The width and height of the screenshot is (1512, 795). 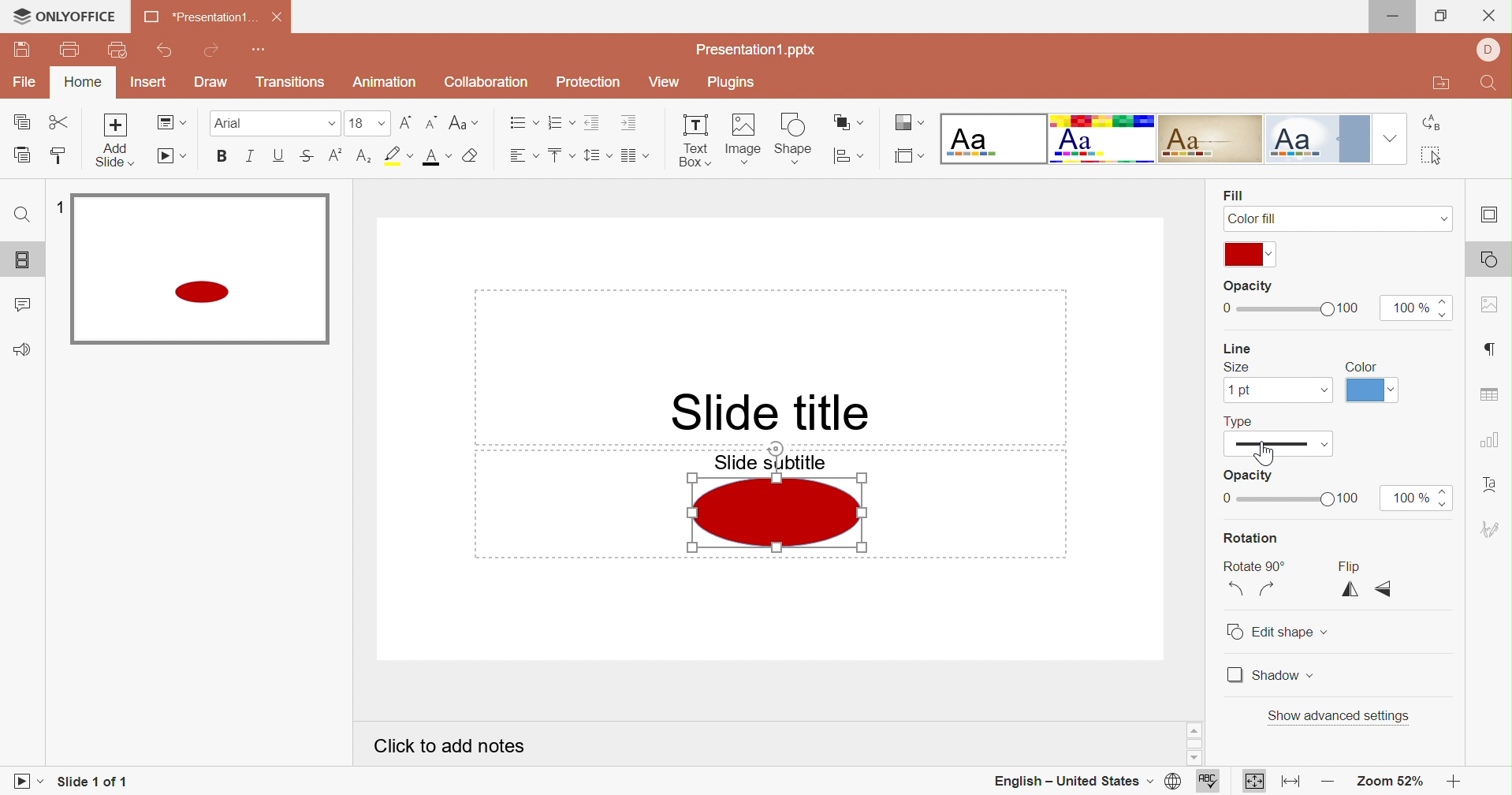 I want to click on Drop down, so click(x=1391, y=139).